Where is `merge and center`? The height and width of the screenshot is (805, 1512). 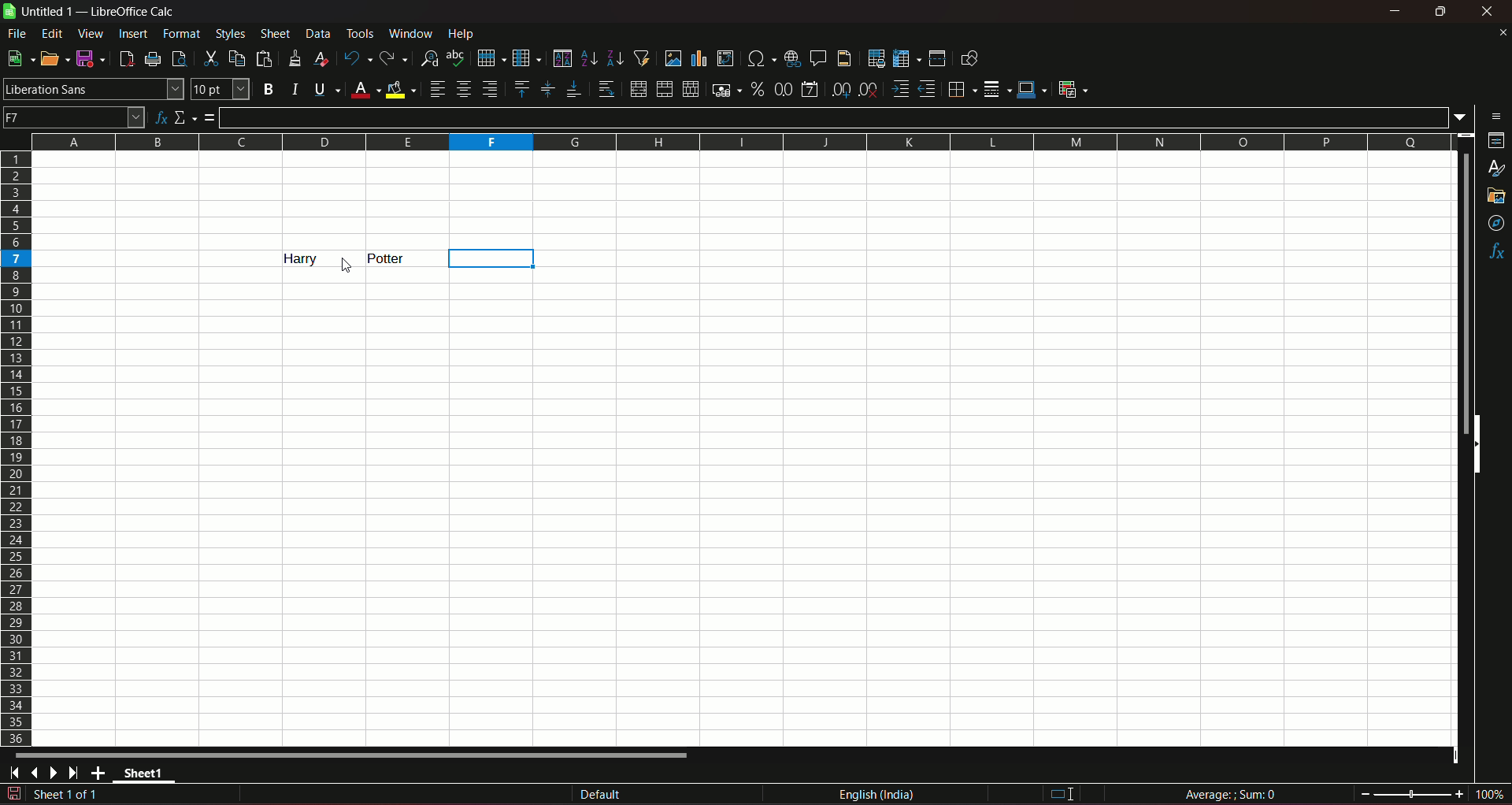 merge and center is located at coordinates (637, 89).